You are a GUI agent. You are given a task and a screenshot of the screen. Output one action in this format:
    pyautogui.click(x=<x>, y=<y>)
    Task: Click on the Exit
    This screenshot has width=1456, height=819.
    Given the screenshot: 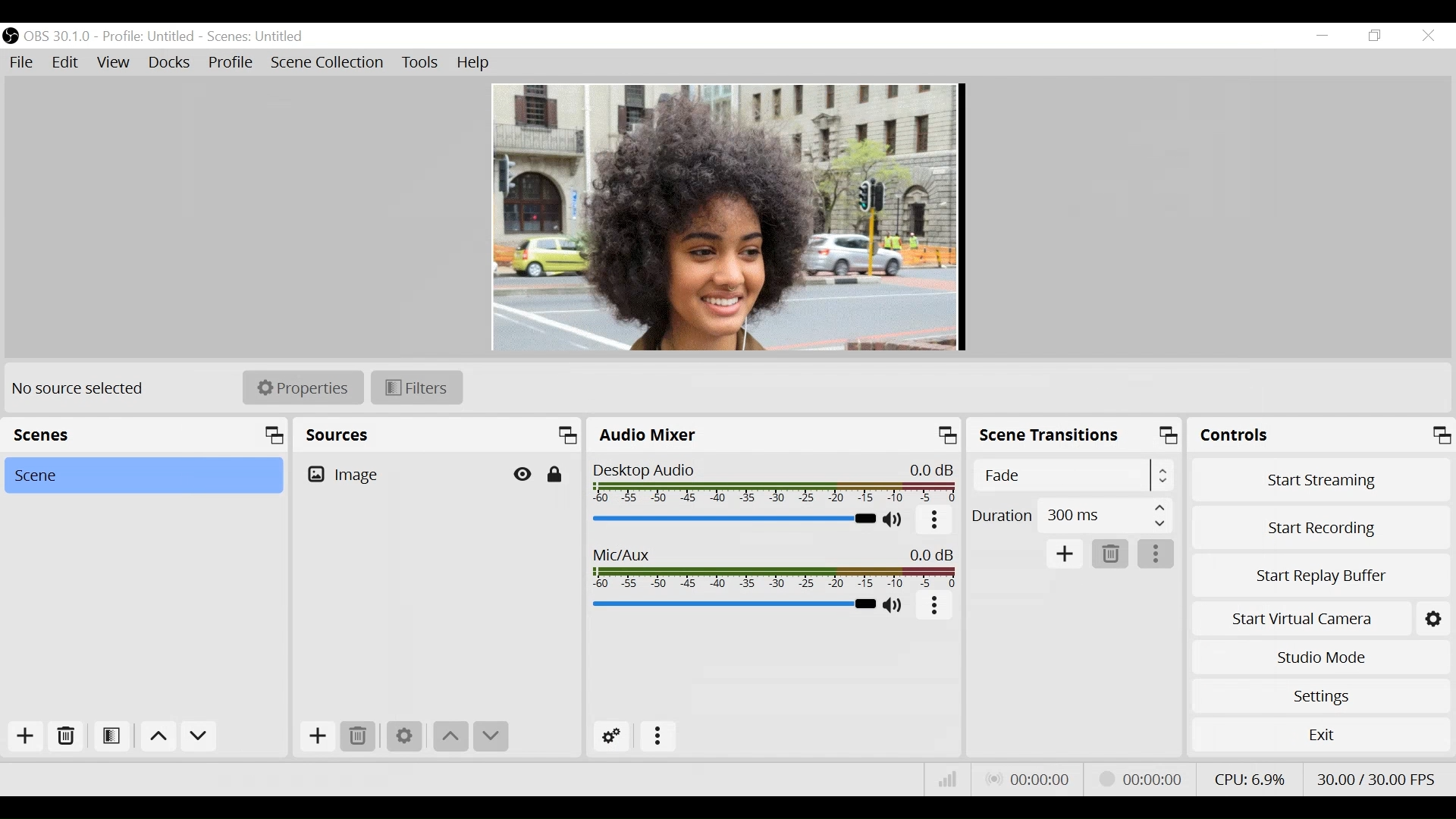 What is the action you would take?
    pyautogui.click(x=1321, y=733)
    